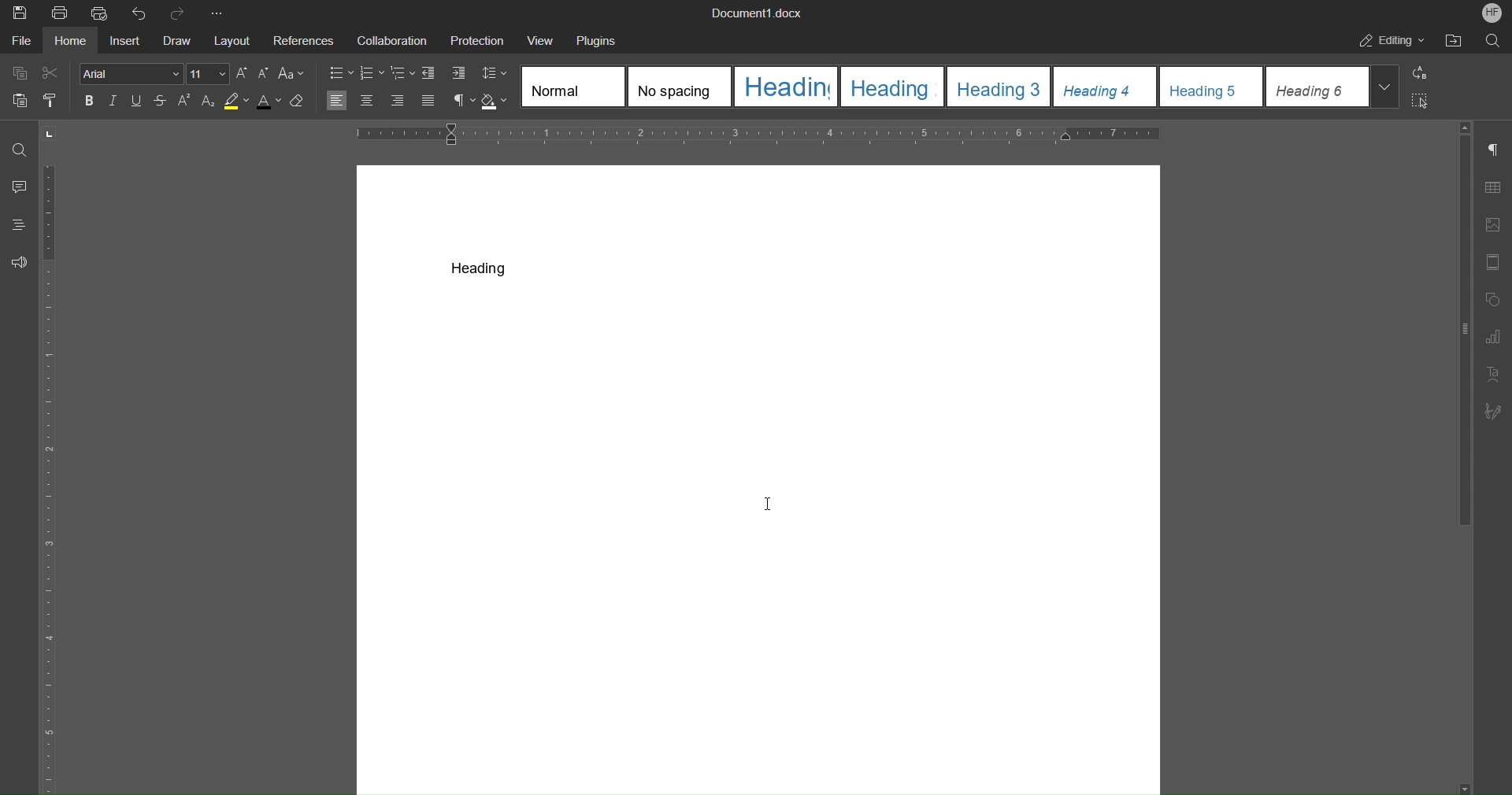 Image resolution: width=1512 pixels, height=795 pixels. What do you see at coordinates (1466, 128) in the screenshot?
I see `Move up` at bounding box center [1466, 128].